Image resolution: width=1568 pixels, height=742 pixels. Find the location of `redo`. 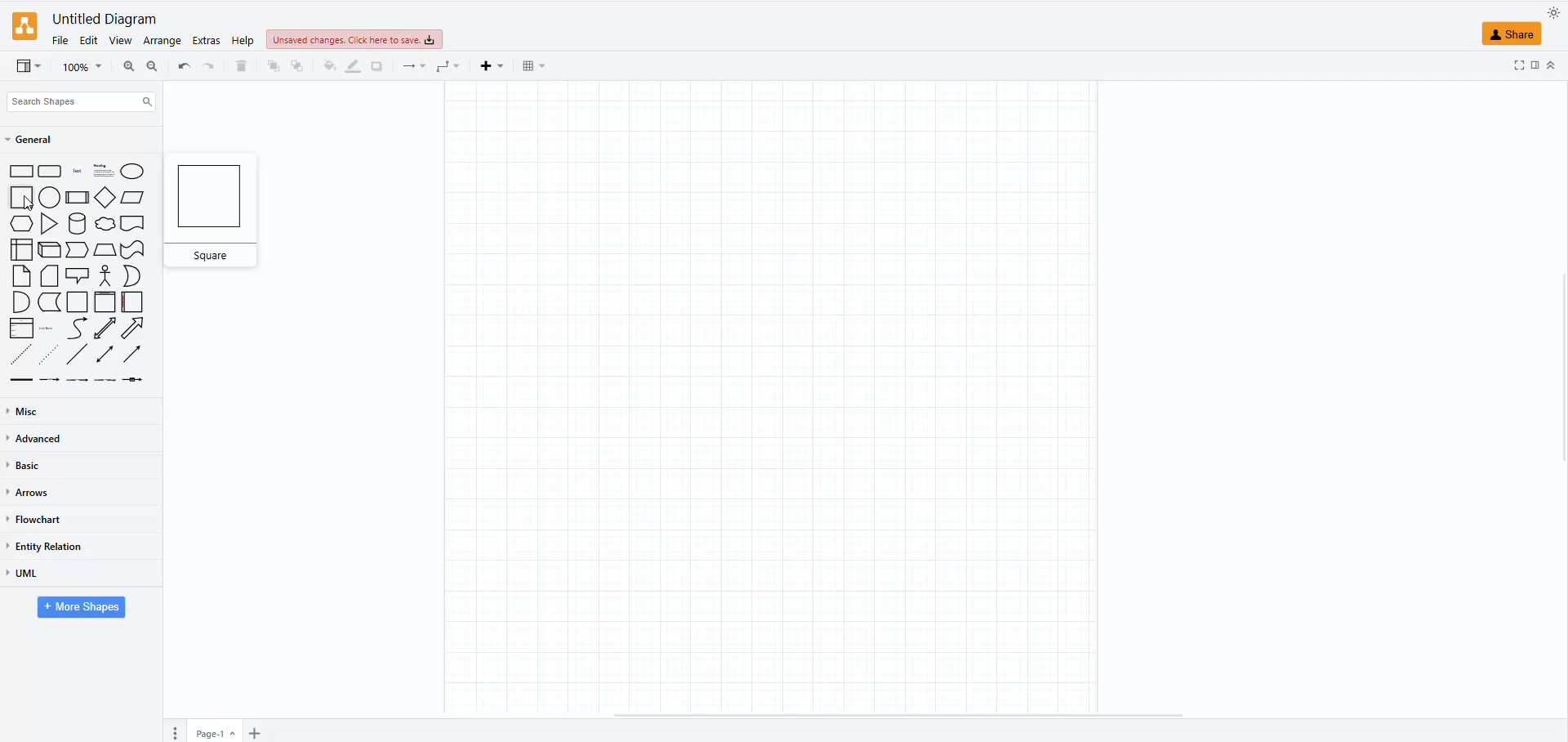

redo is located at coordinates (180, 65).